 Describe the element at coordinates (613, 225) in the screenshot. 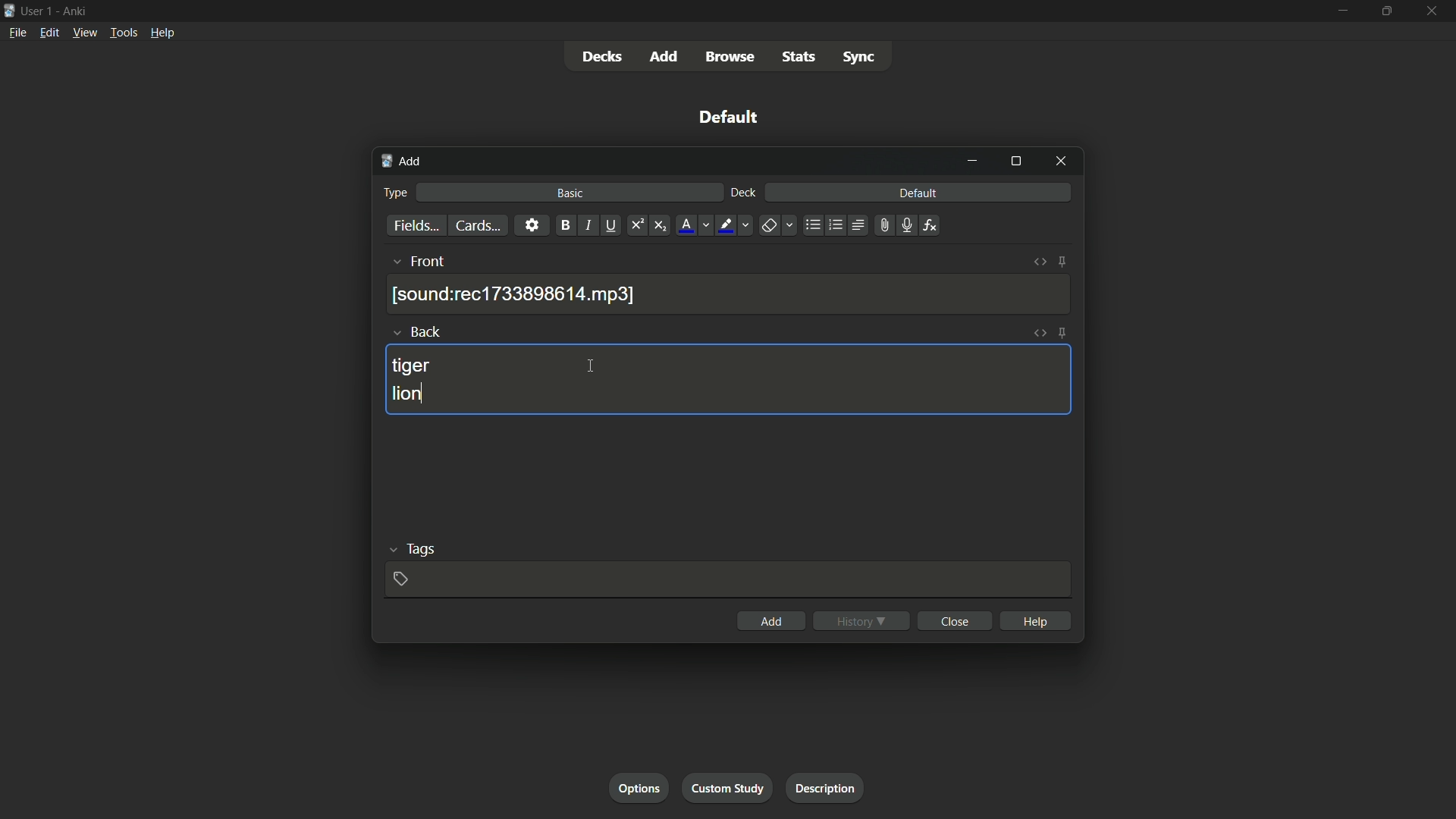

I see `underline` at that location.